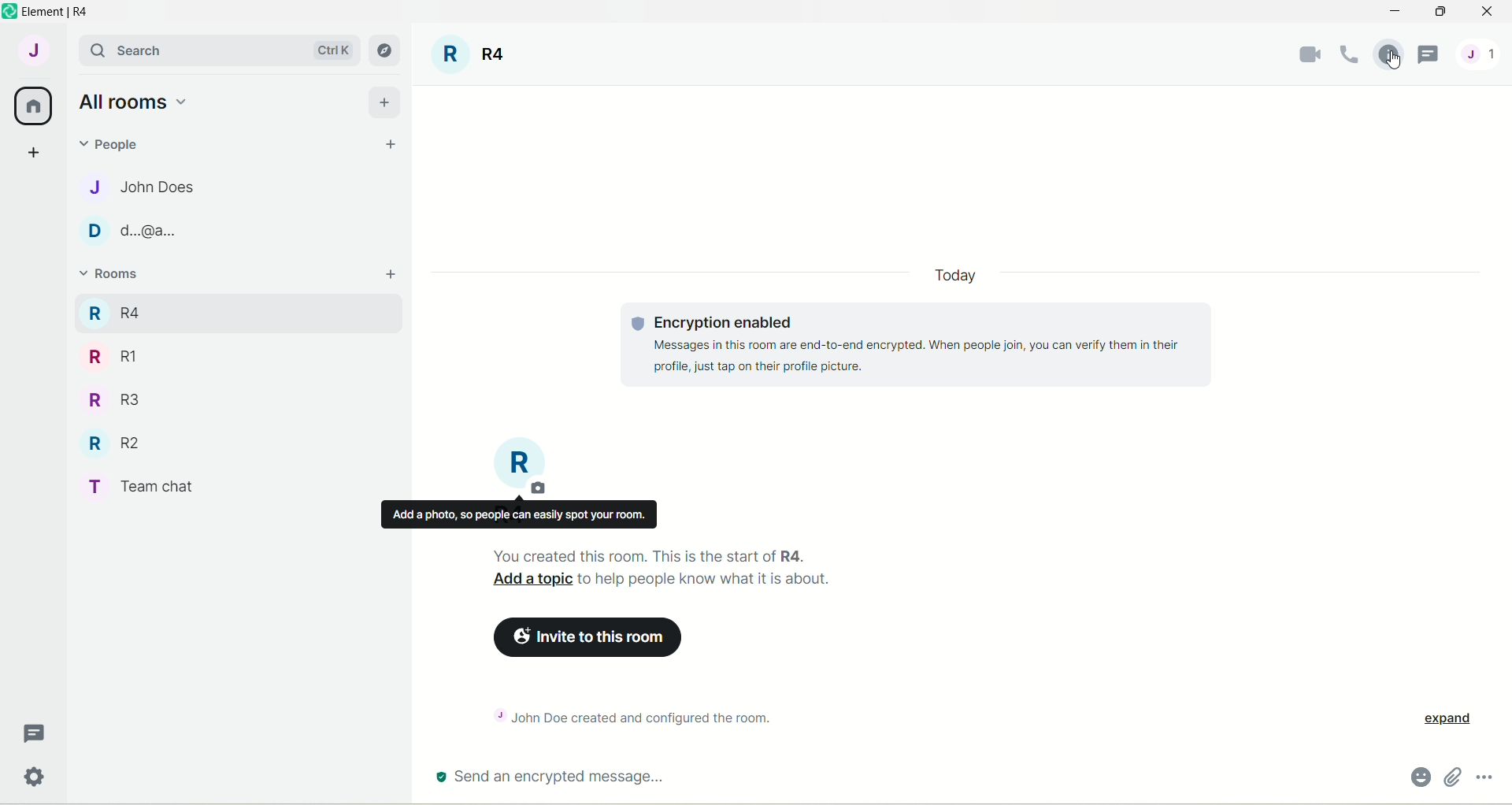  I want to click on close, so click(1487, 15).